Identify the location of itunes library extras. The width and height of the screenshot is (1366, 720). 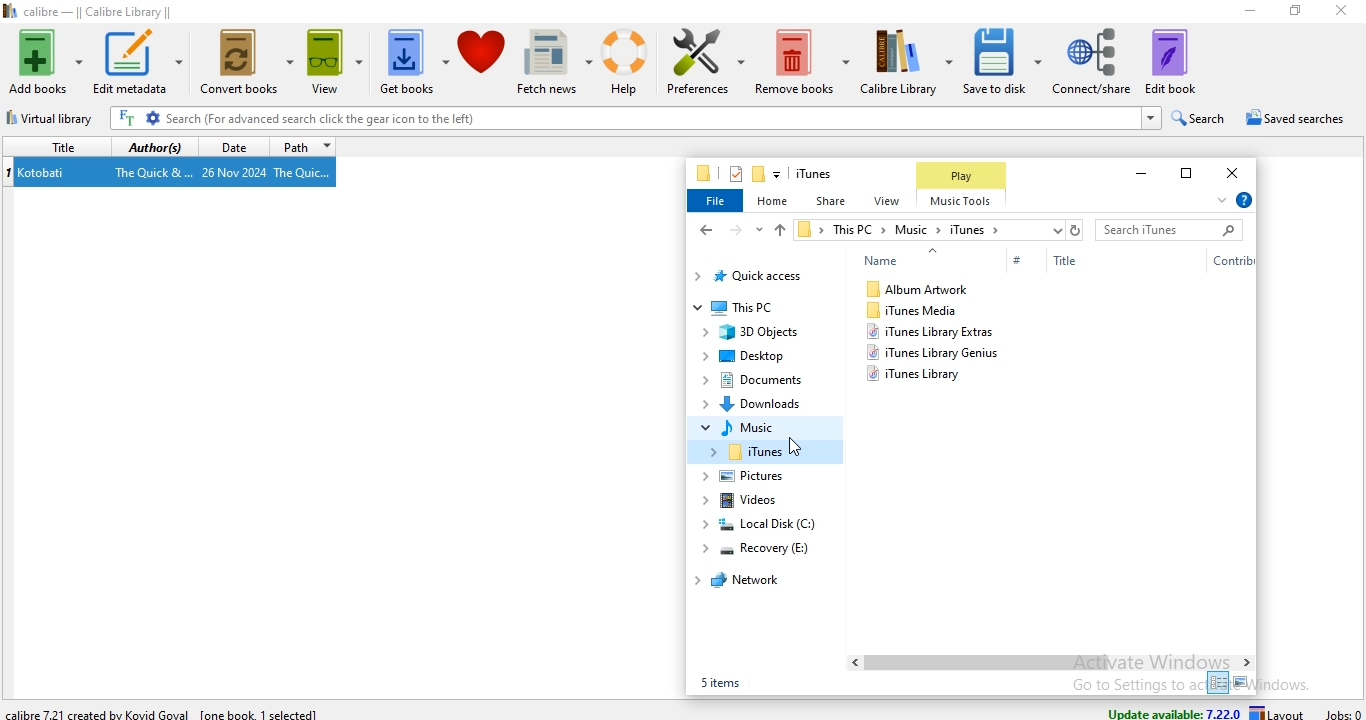
(932, 333).